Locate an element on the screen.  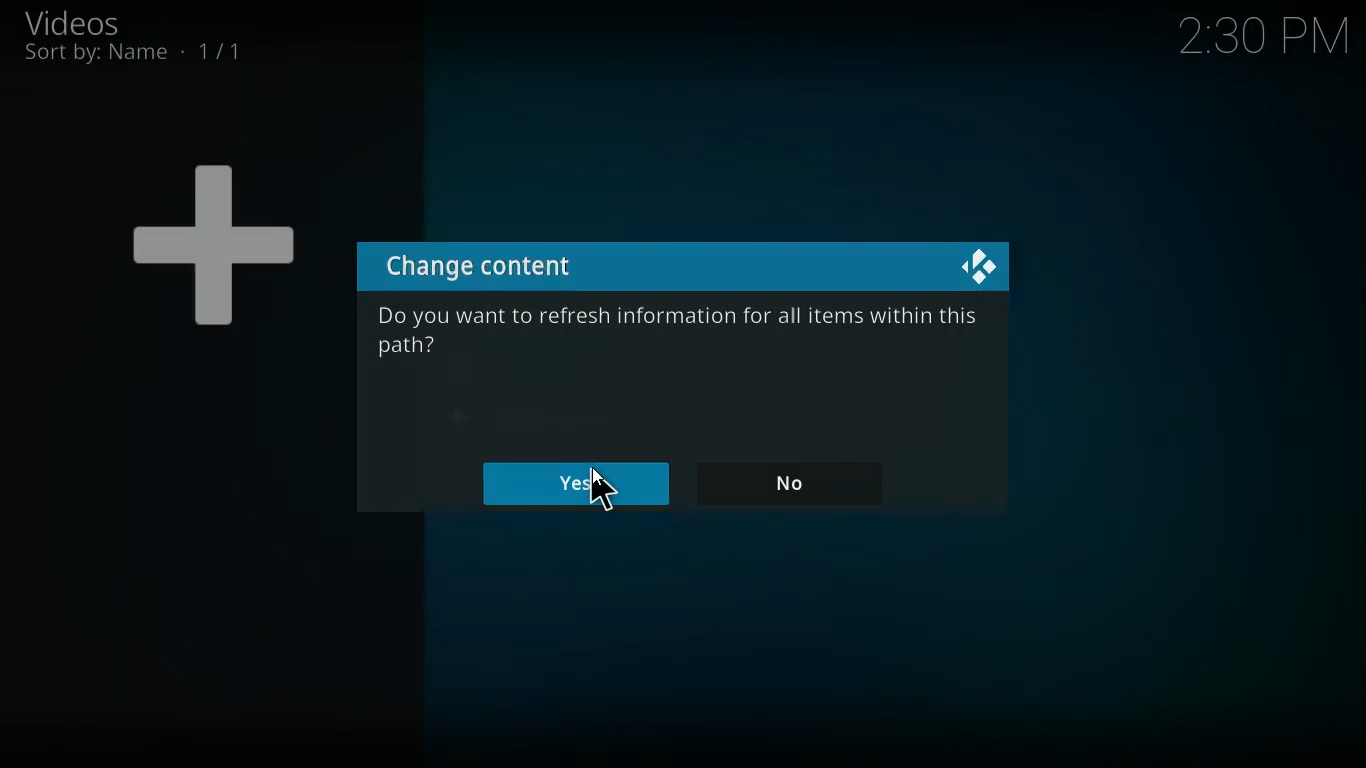
cursor is located at coordinates (598, 486).